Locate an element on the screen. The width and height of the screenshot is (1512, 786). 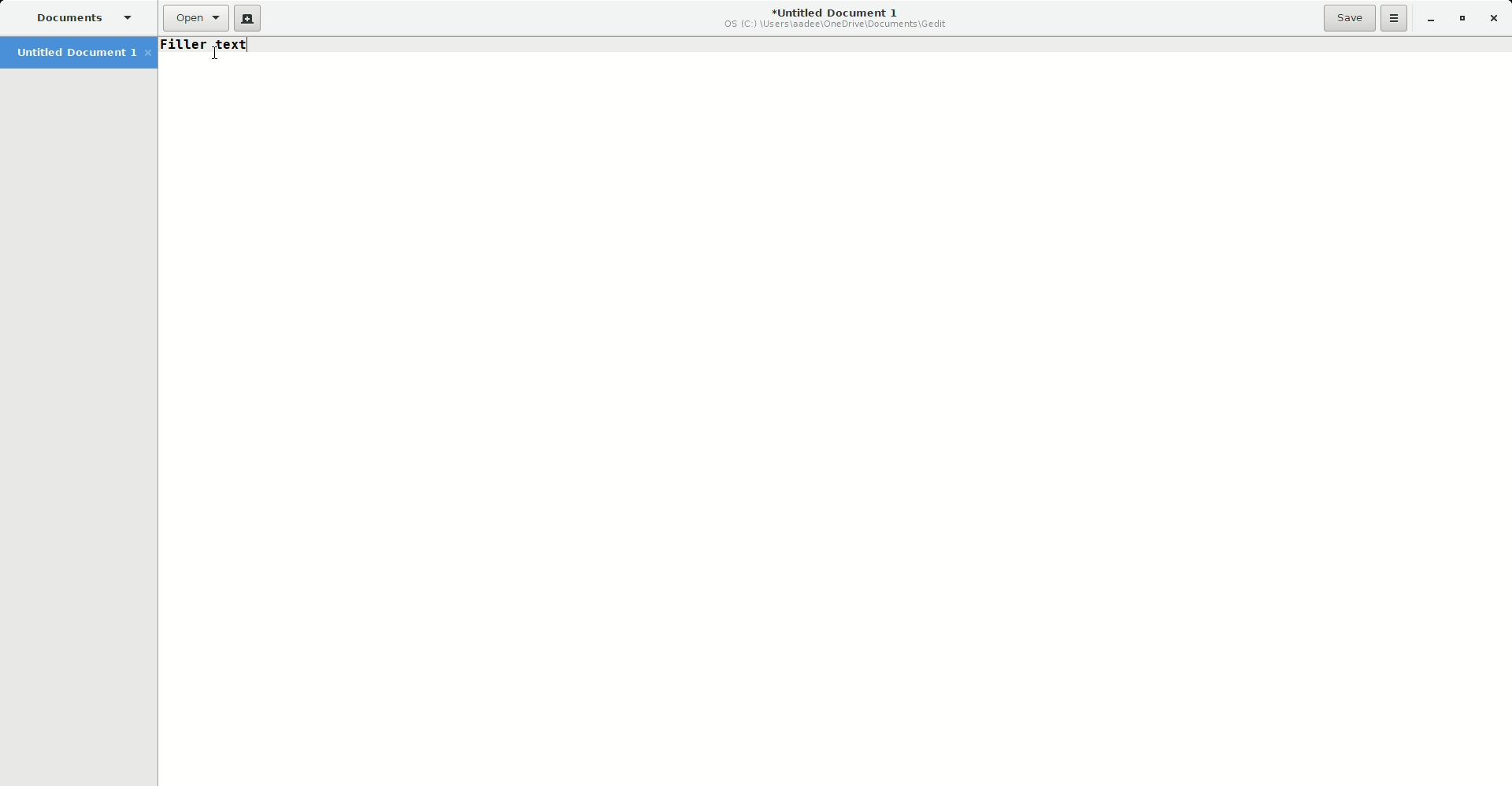
Filler text is located at coordinates (203, 44).